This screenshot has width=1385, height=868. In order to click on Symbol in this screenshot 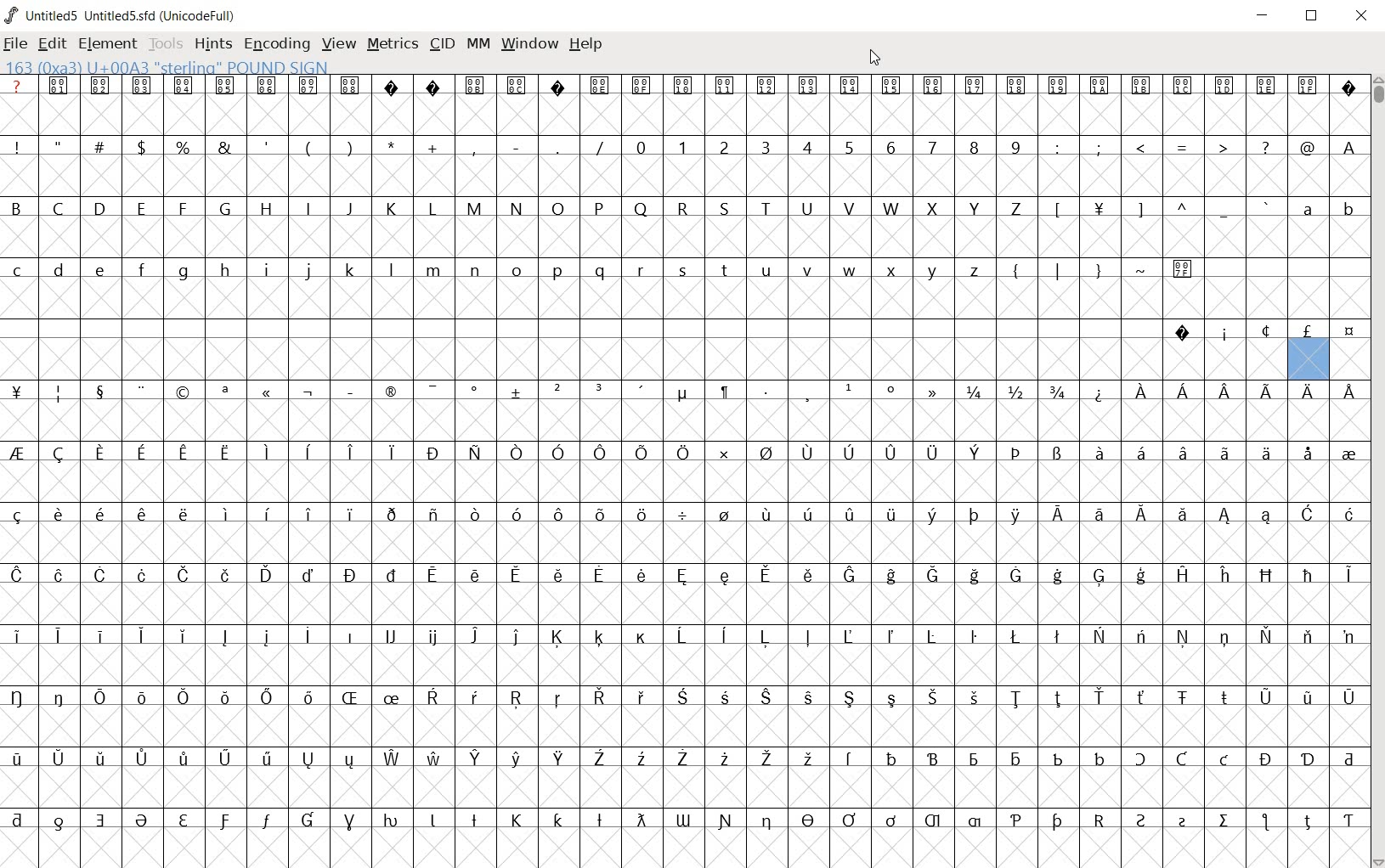, I will do `click(184, 821)`.